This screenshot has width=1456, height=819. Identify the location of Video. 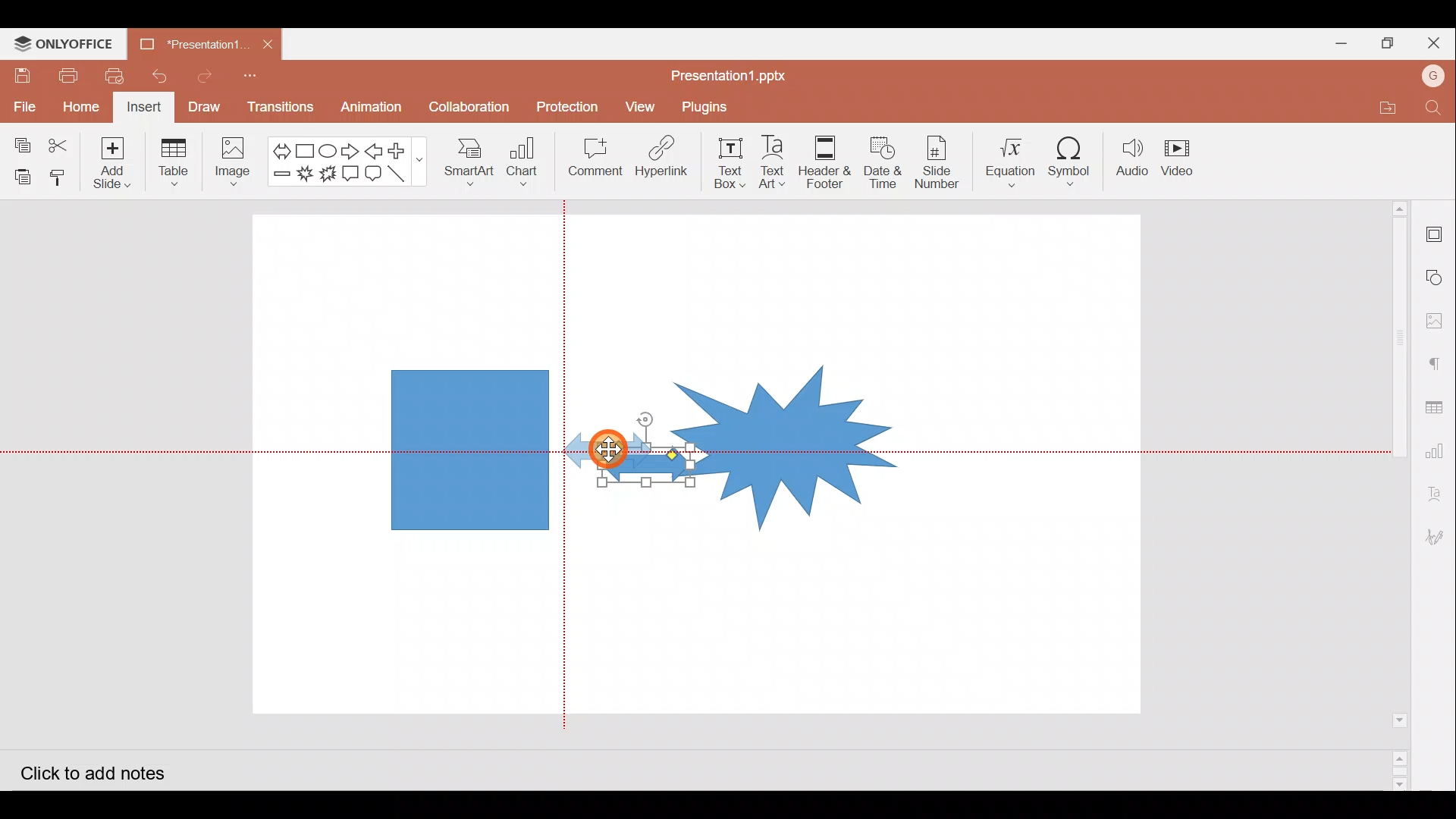
(1187, 159).